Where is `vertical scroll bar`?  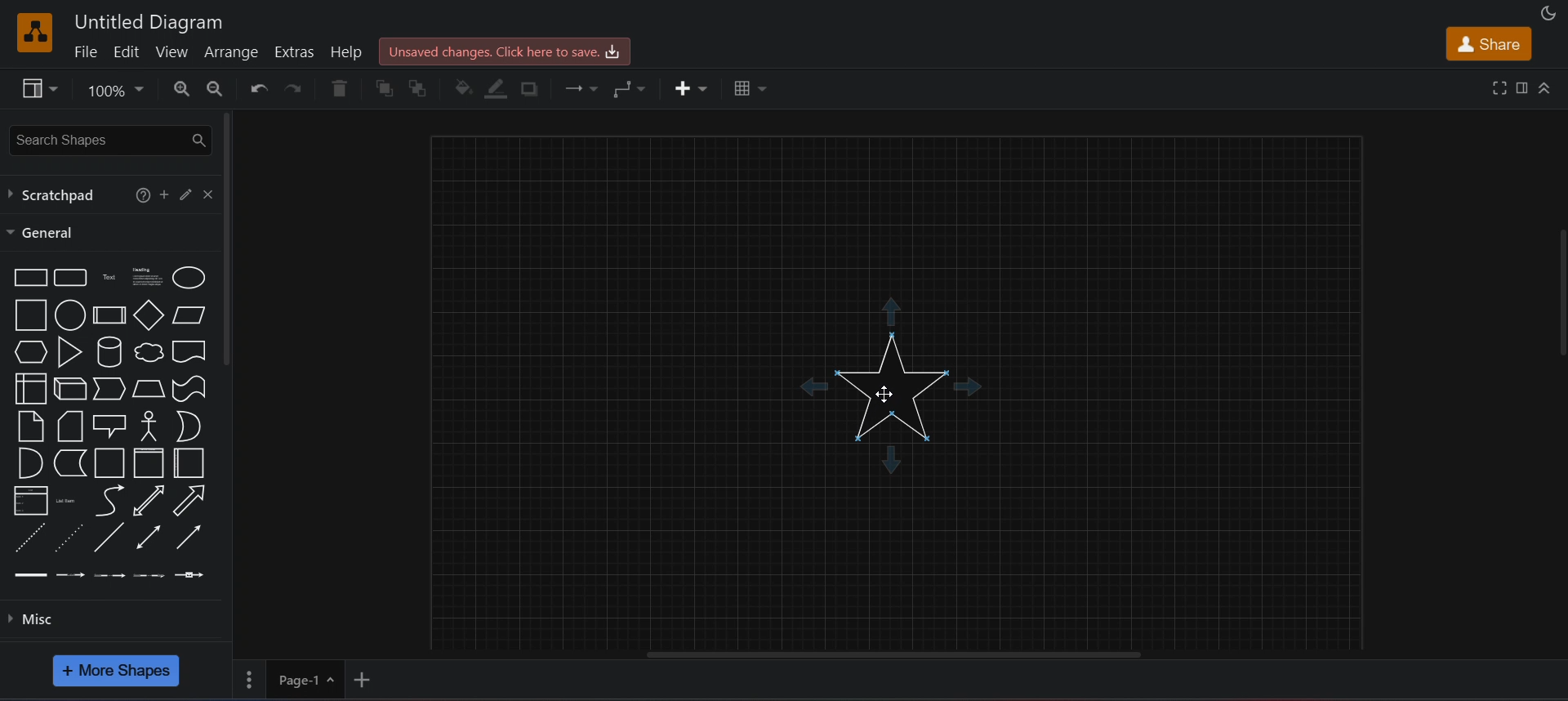
vertical scroll bar is located at coordinates (229, 239).